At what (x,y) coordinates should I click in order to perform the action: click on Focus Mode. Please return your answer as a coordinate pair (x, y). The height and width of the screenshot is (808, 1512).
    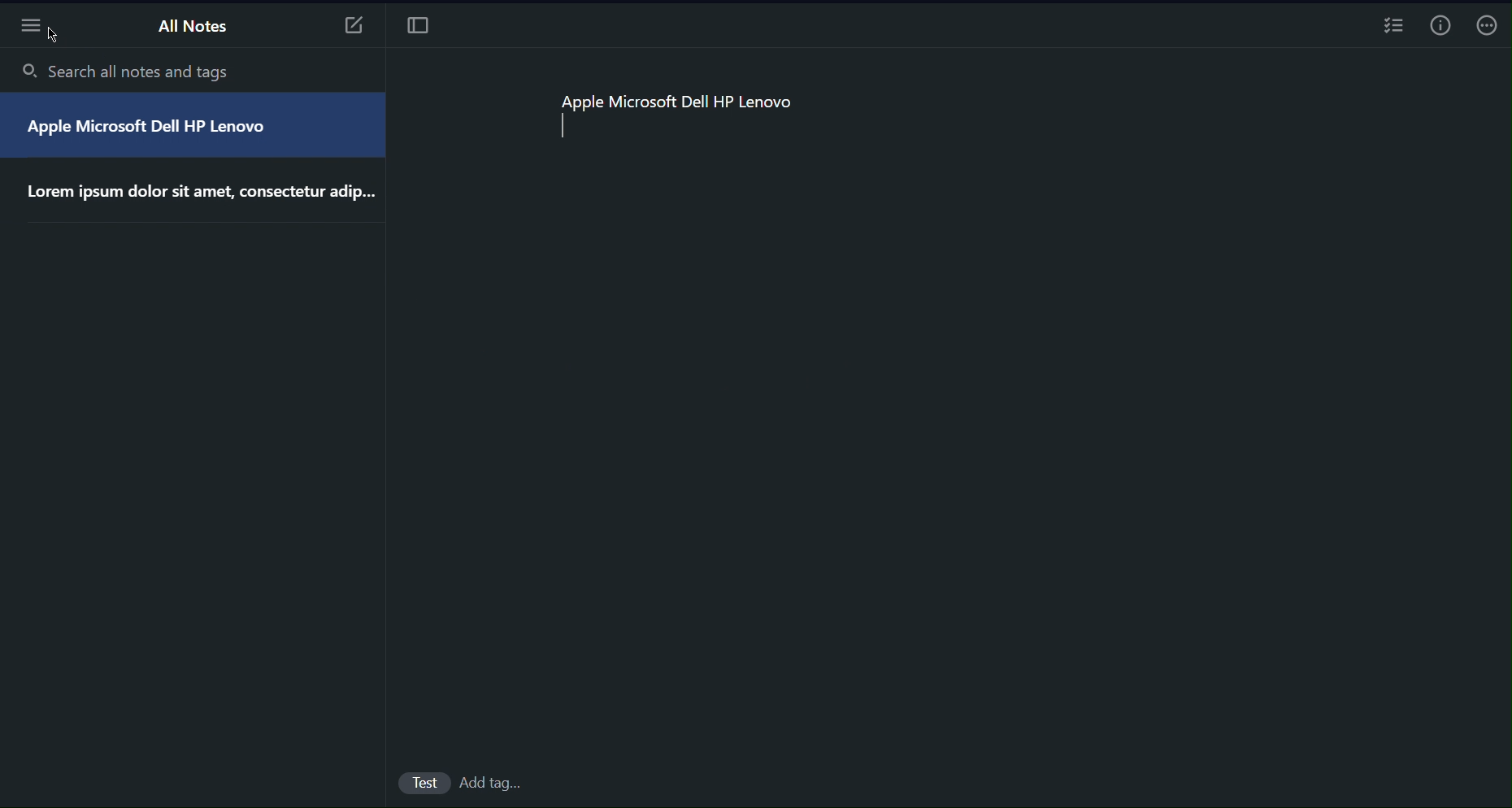
    Looking at the image, I should click on (422, 22).